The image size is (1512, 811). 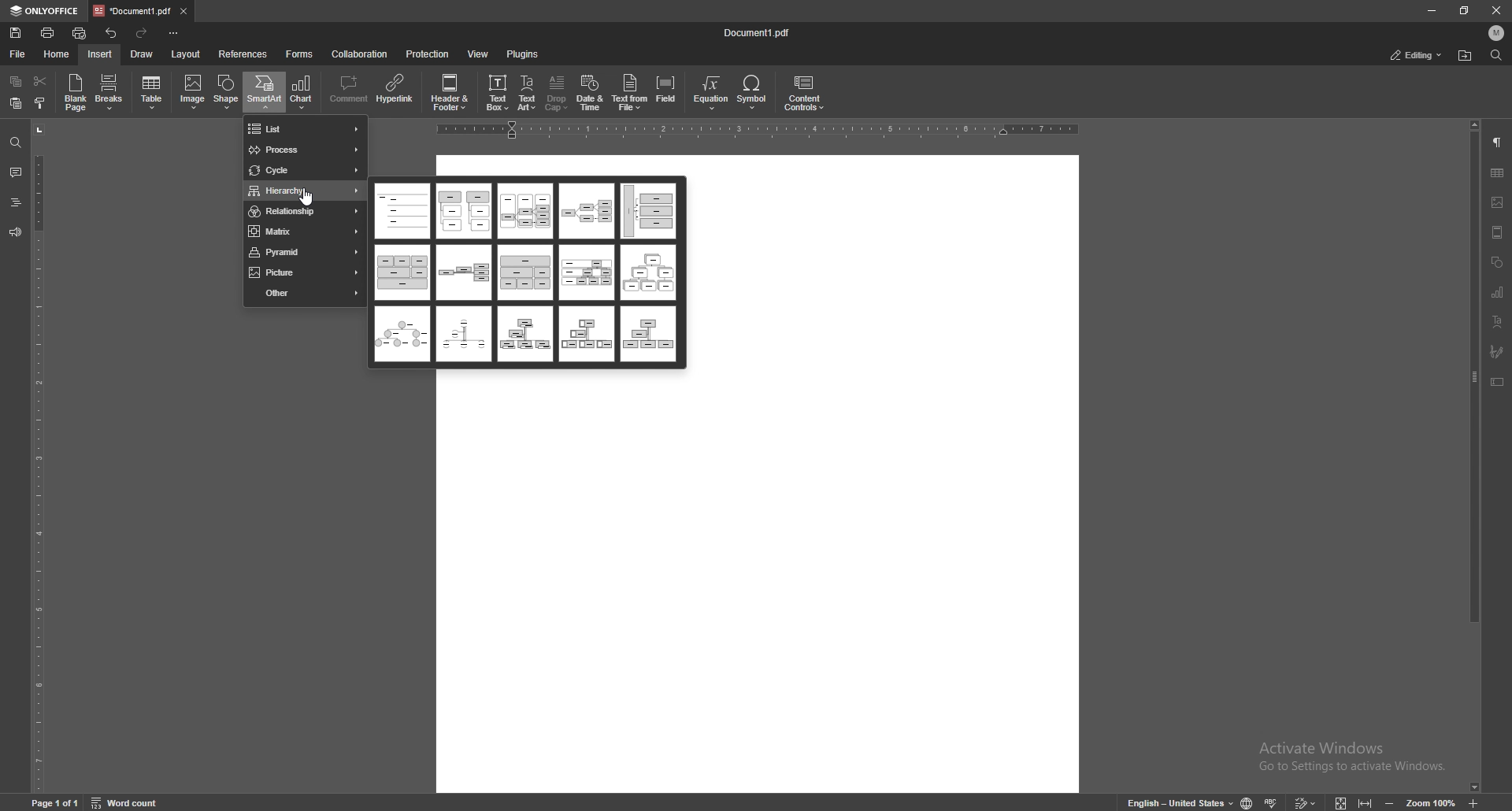 I want to click on hierarchy smart art, so click(x=647, y=335).